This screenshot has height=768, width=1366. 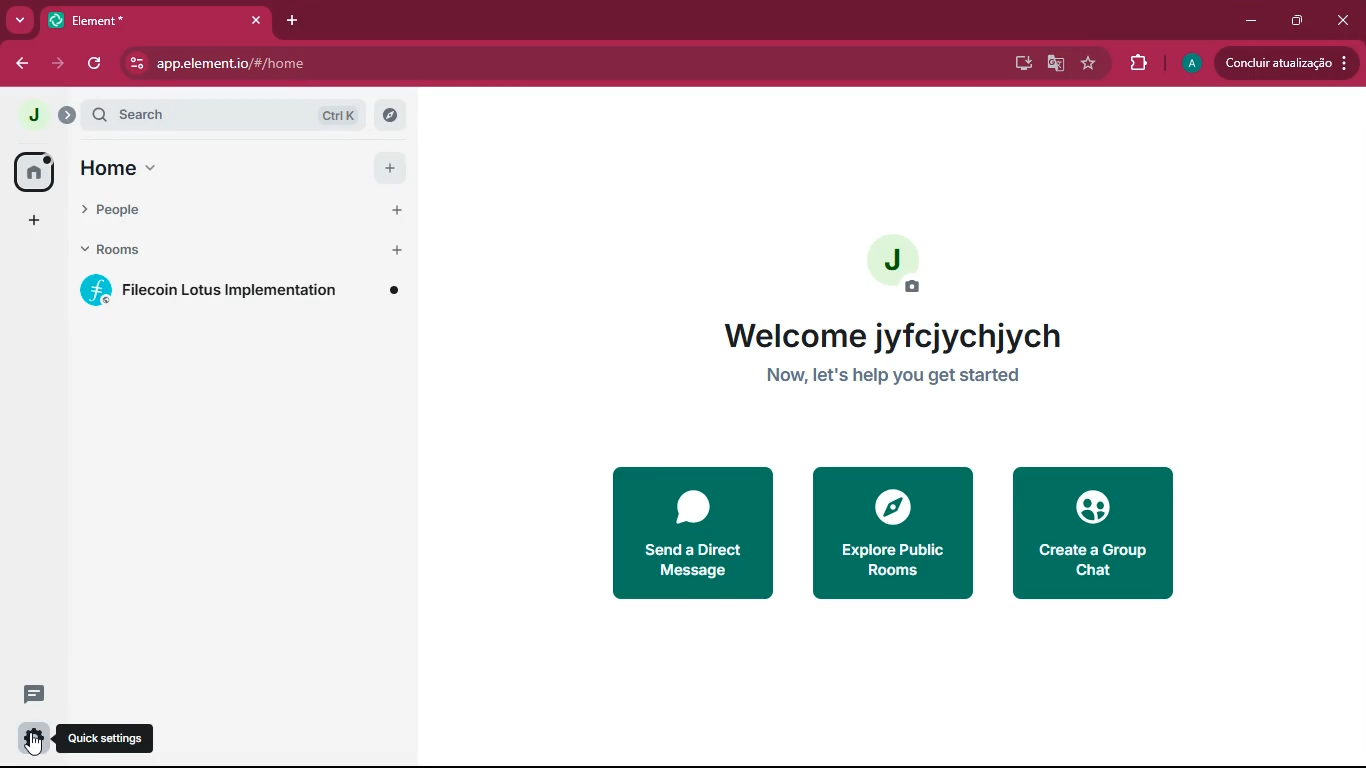 What do you see at coordinates (38, 693) in the screenshot?
I see `conversation` at bounding box center [38, 693].